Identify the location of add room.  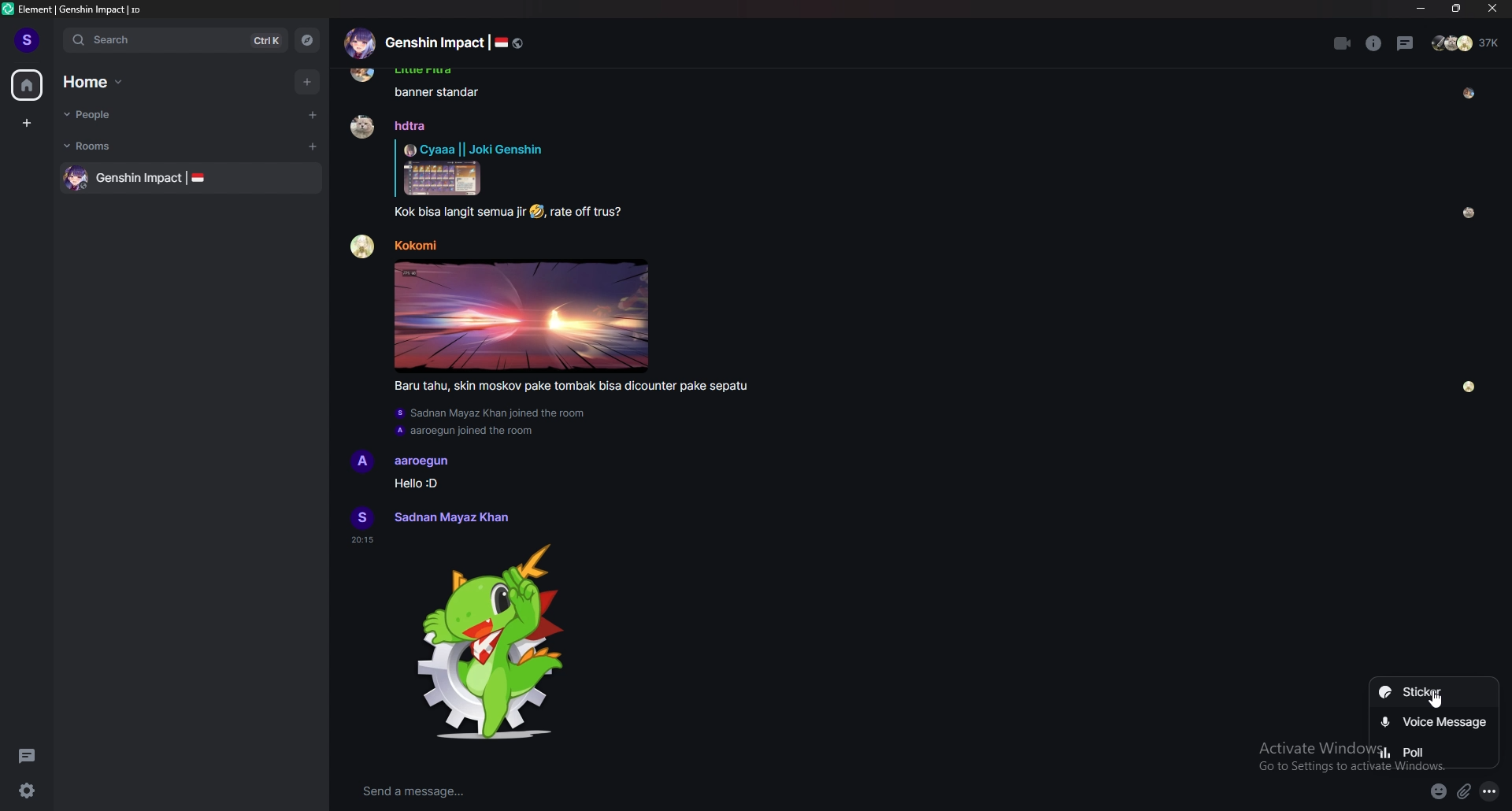
(313, 146).